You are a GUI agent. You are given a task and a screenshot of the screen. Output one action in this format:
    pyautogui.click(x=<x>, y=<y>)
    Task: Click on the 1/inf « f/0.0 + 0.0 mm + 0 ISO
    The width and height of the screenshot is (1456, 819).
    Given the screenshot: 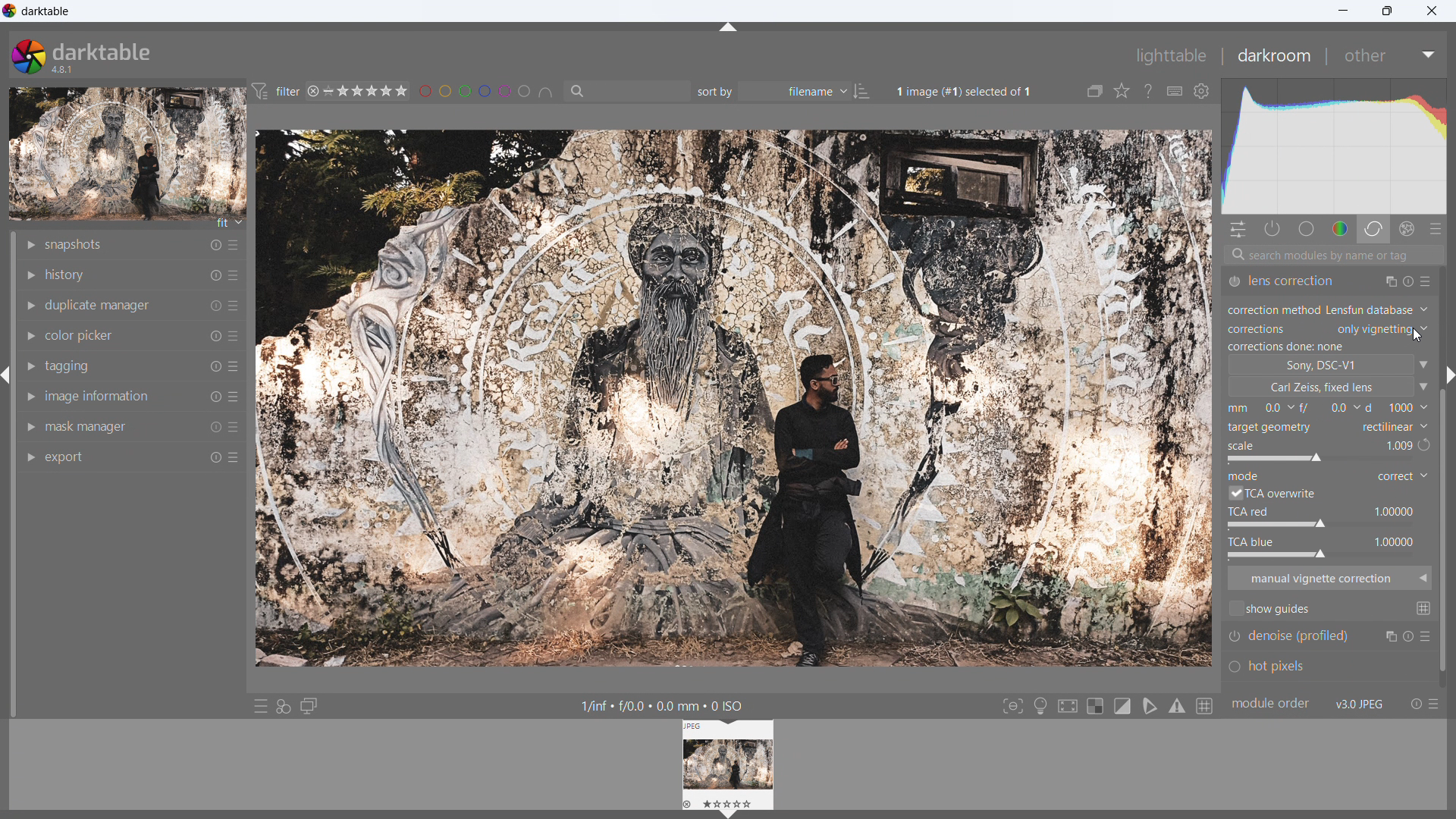 What is the action you would take?
    pyautogui.click(x=670, y=705)
    